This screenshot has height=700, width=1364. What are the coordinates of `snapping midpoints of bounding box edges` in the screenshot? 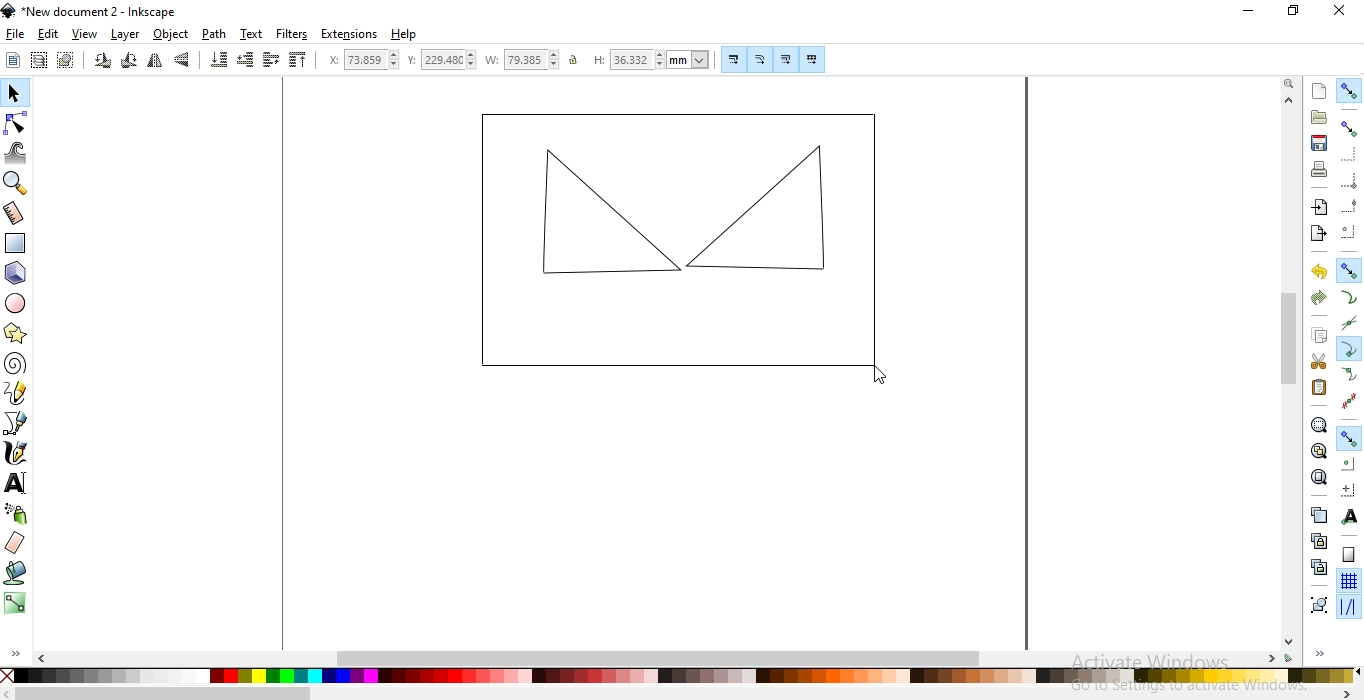 It's located at (1349, 204).